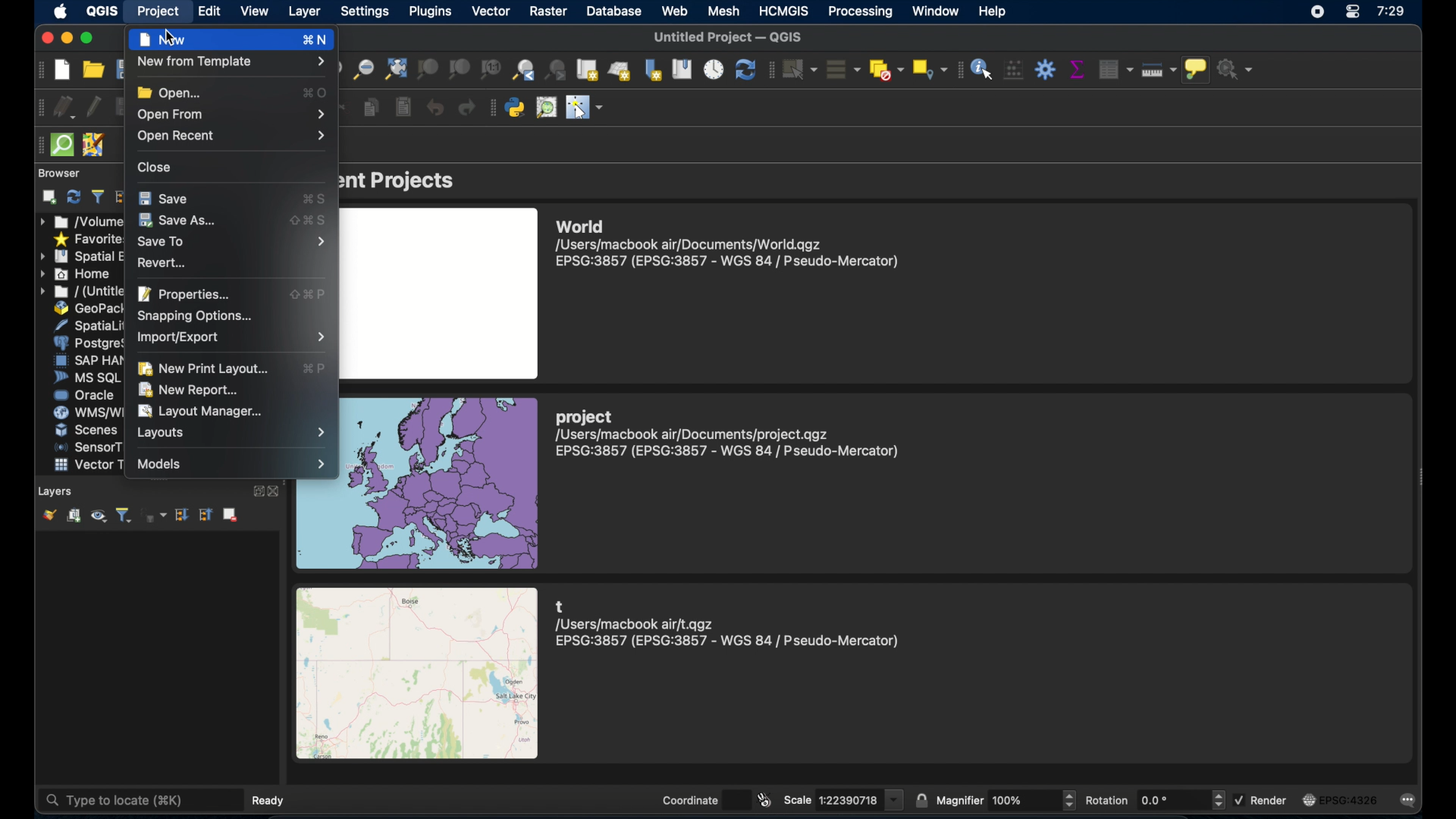 This screenshot has height=819, width=1456. Describe the element at coordinates (62, 256) in the screenshot. I see `icon` at that location.